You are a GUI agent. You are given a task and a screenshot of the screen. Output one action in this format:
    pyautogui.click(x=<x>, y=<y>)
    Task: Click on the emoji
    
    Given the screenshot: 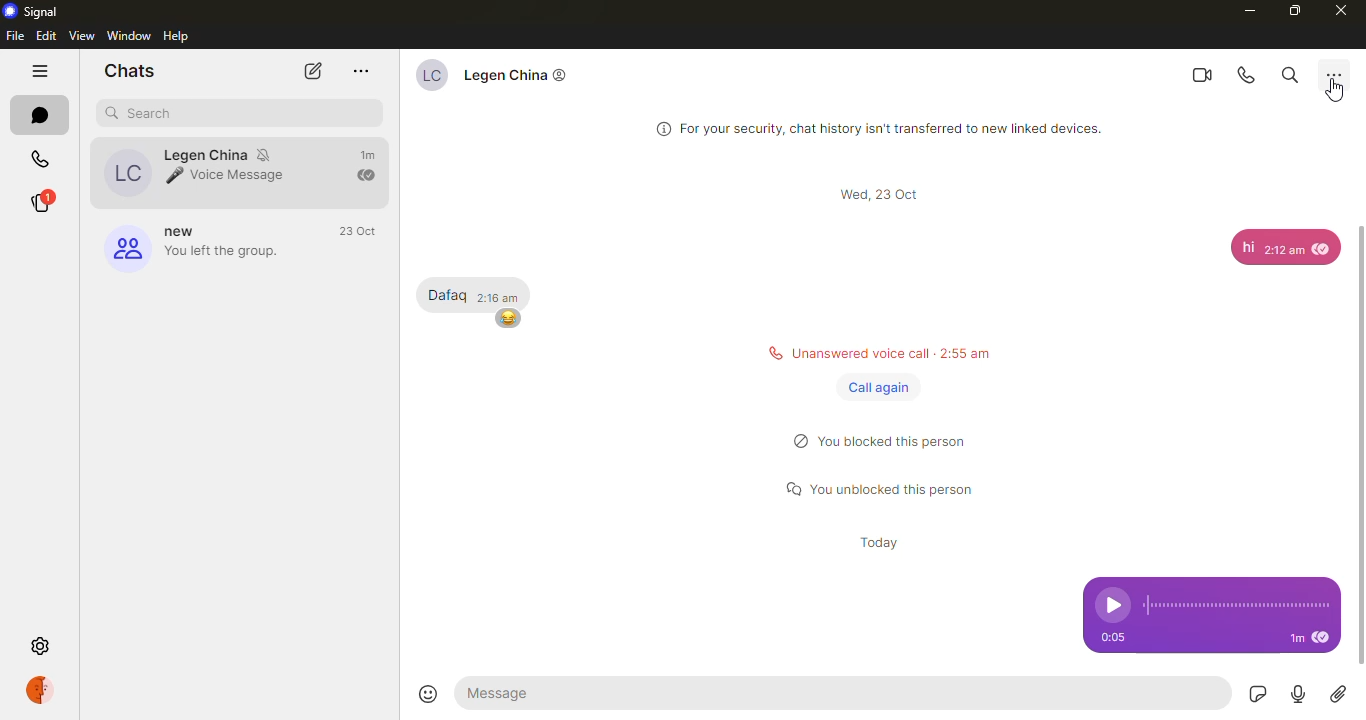 What is the action you would take?
    pyautogui.click(x=427, y=690)
    